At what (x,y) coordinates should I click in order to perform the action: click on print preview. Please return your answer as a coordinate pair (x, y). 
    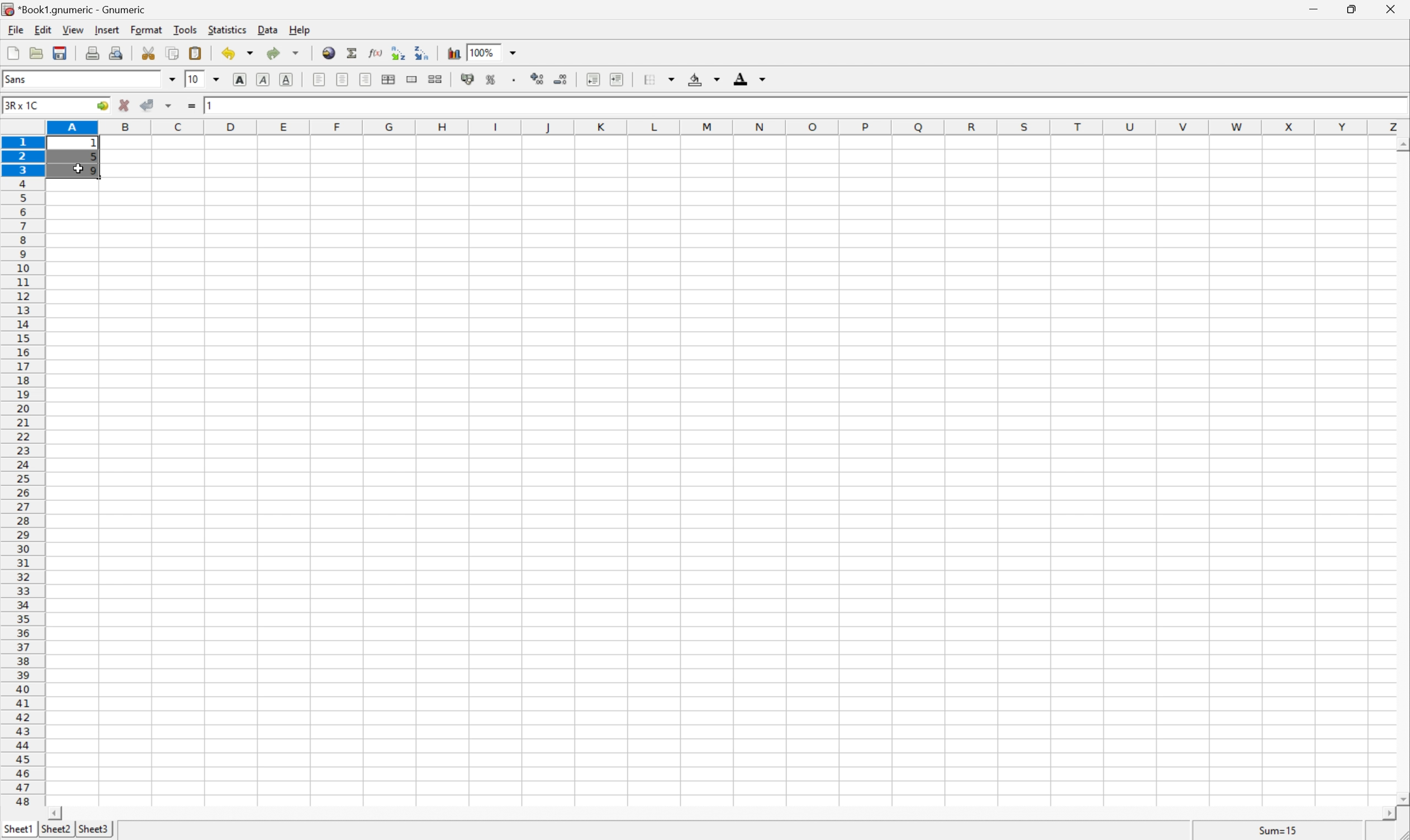
    Looking at the image, I should click on (116, 52).